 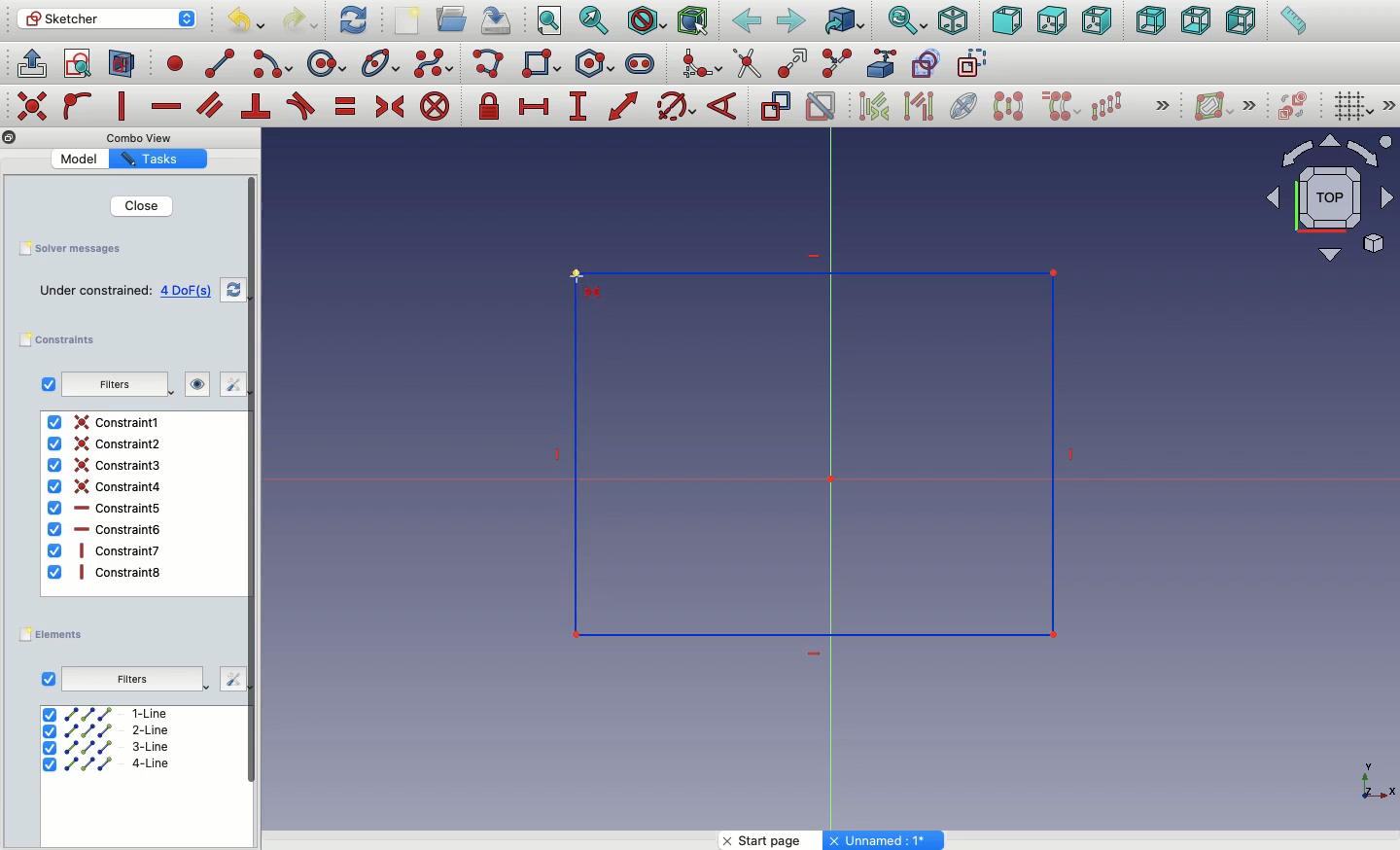 I want to click on constrain symmetrical , so click(x=389, y=110).